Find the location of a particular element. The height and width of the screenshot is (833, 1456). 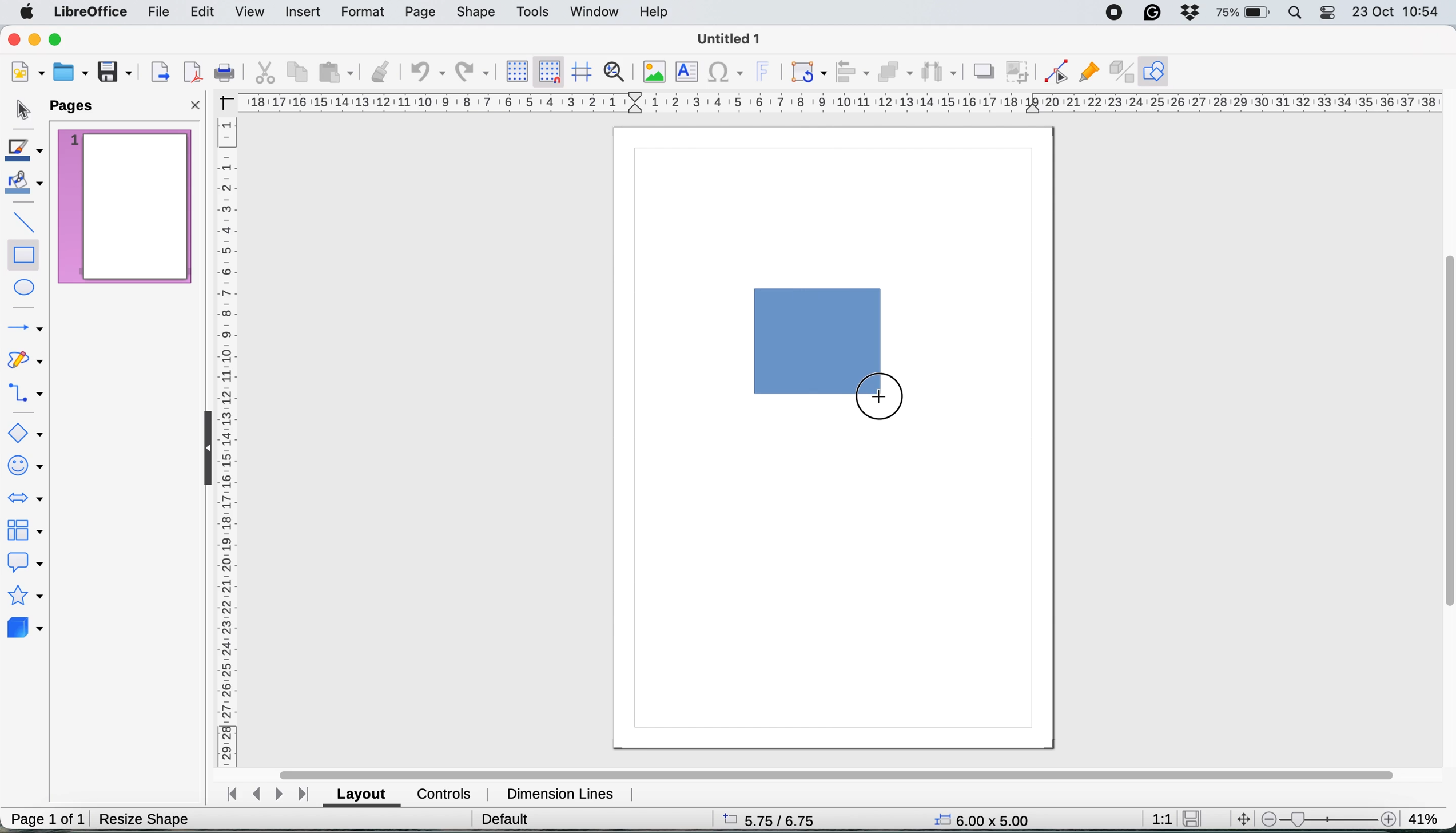

page 1 of 1 is located at coordinates (47, 819).